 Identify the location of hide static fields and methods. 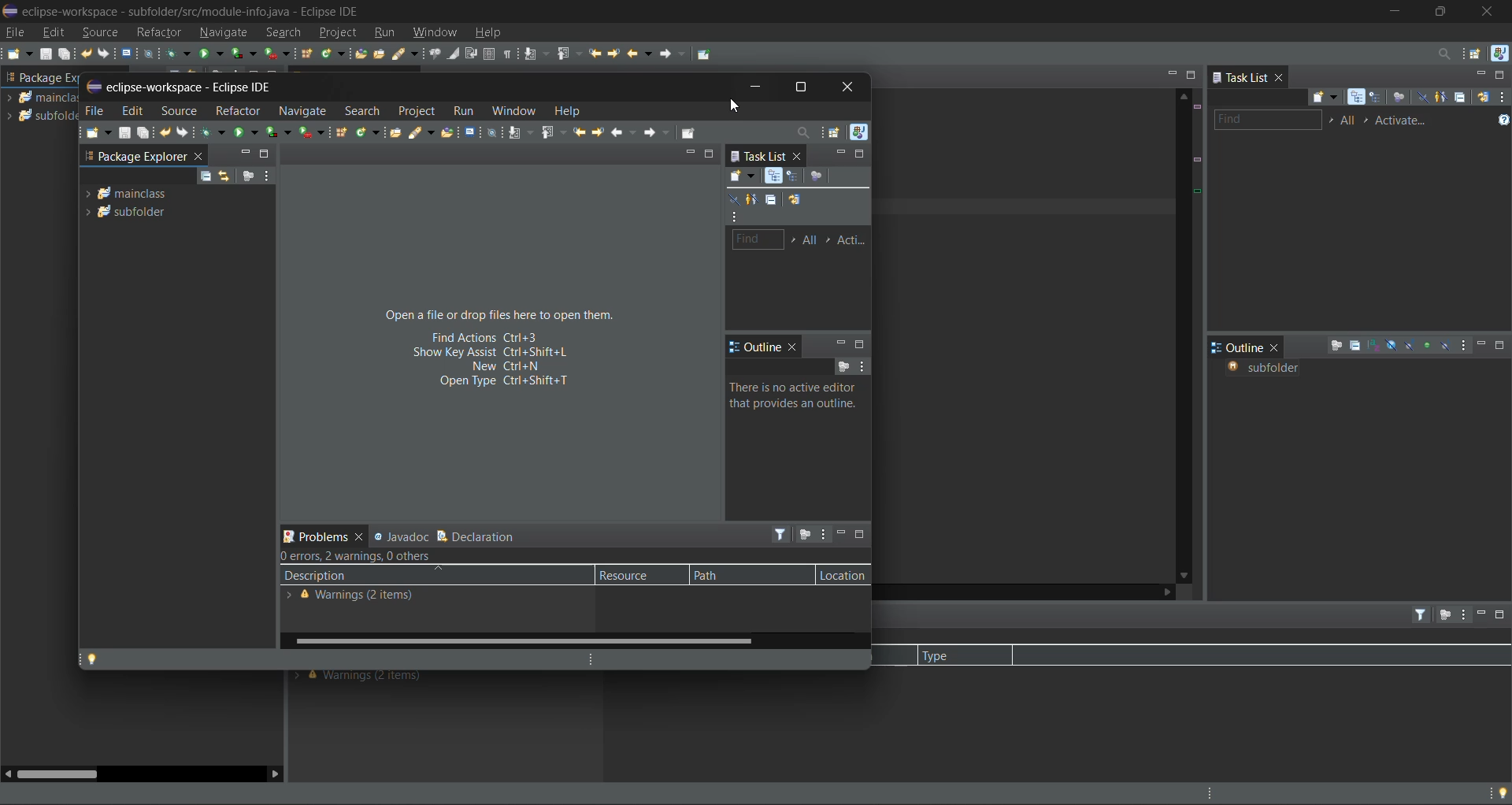
(1410, 346).